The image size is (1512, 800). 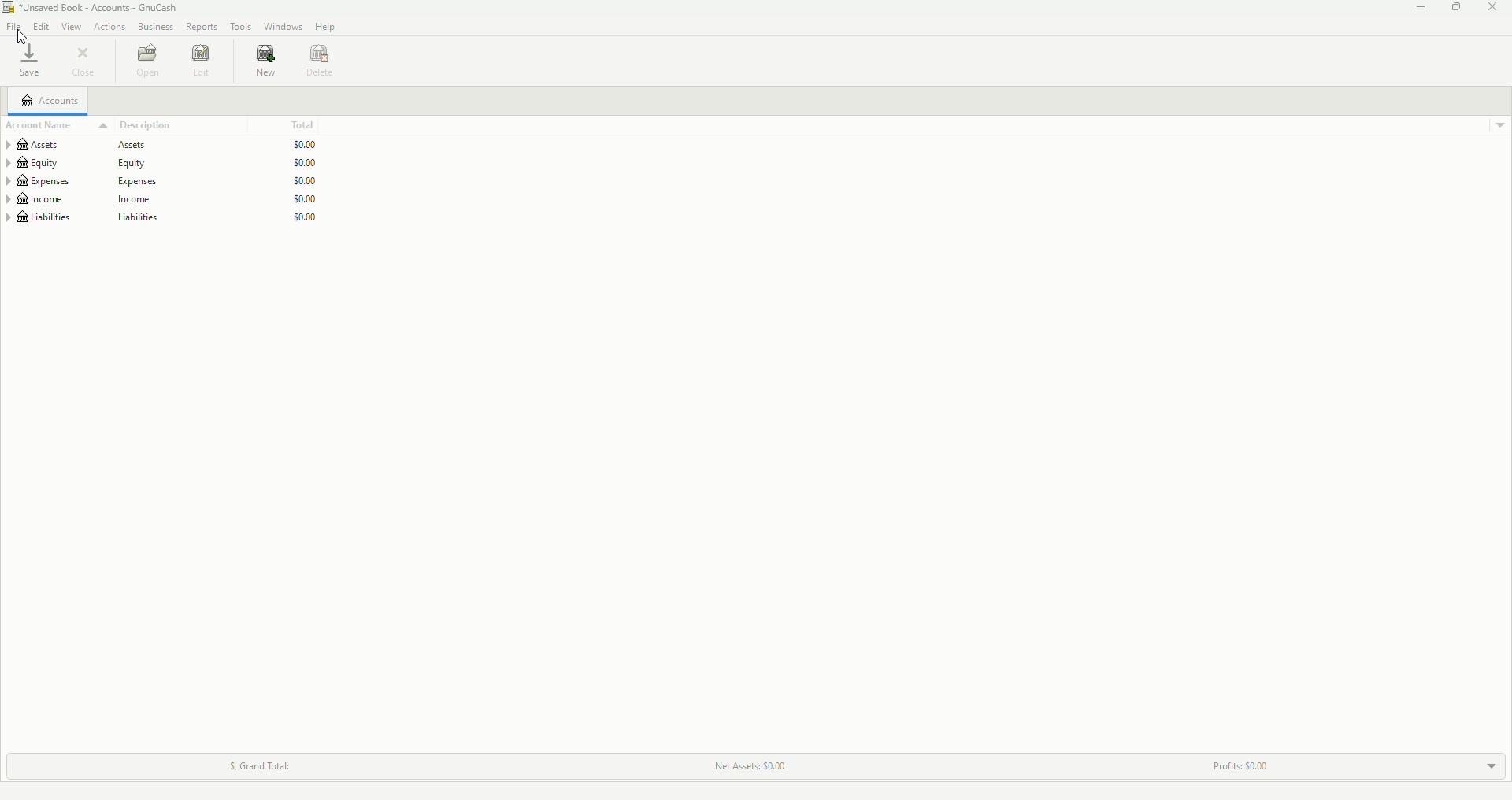 What do you see at coordinates (165, 180) in the screenshot?
I see `Expenses` at bounding box center [165, 180].